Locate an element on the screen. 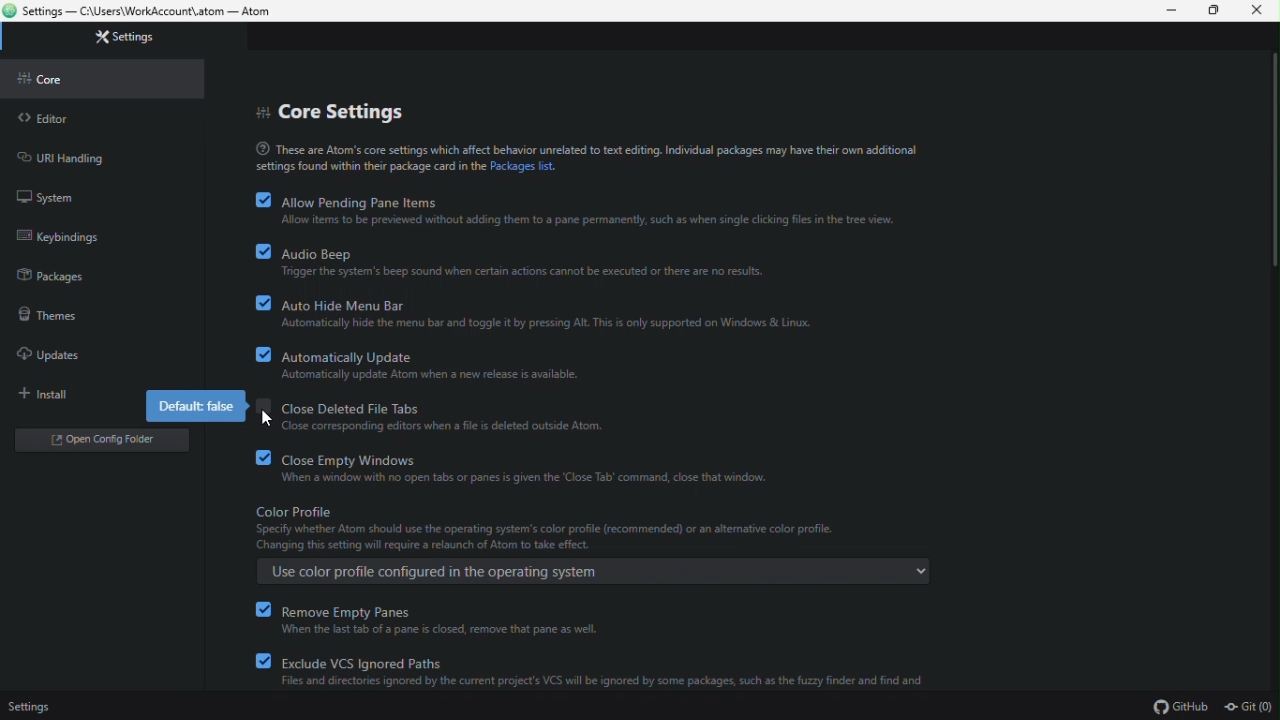 This screenshot has height=720, width=1280. editor is located at coordinates (42, 118).